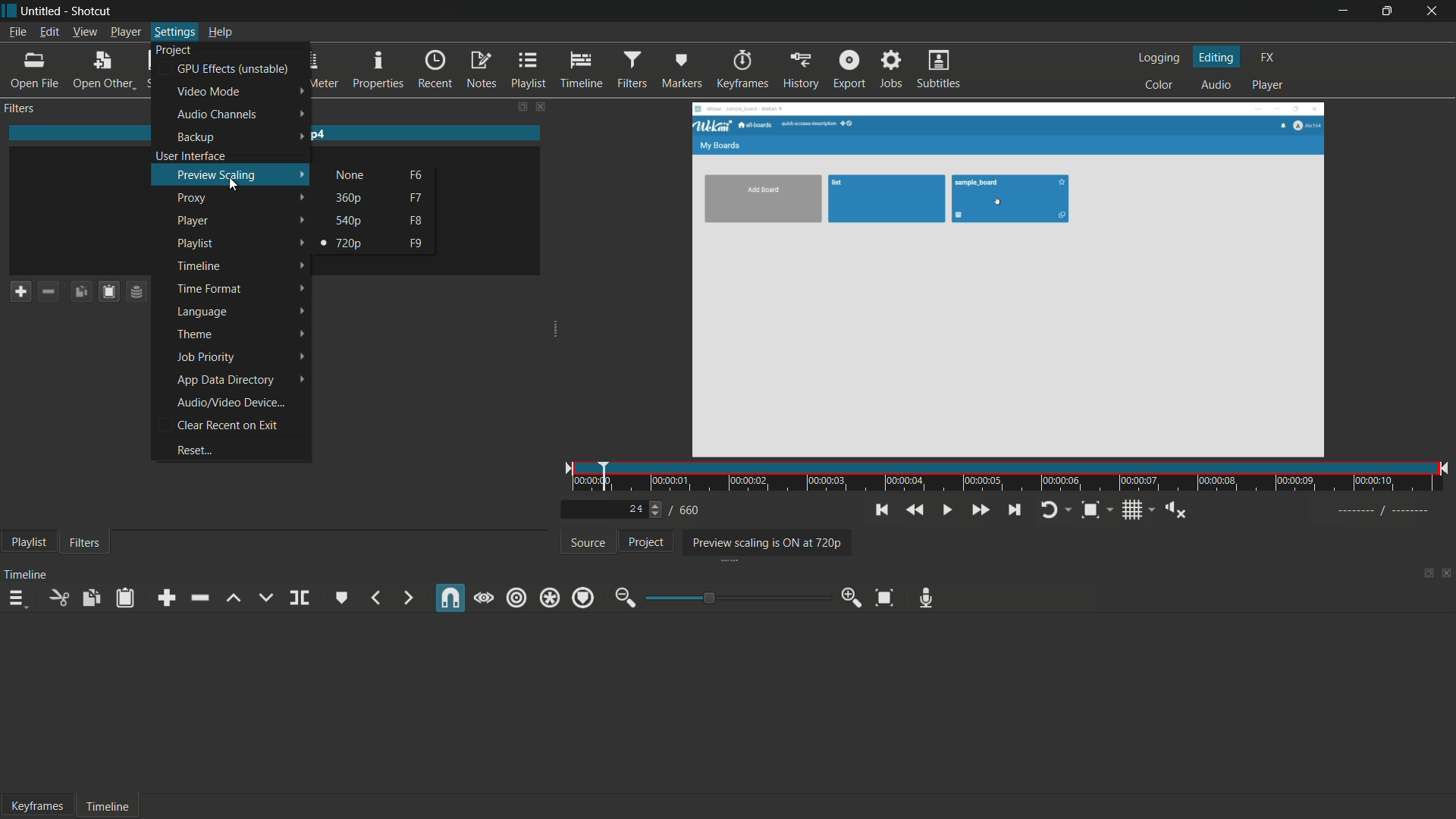  What do you see at coordinates (190, 155) in the screenshot?
I see `user interface` at bounding box center [190, 155].